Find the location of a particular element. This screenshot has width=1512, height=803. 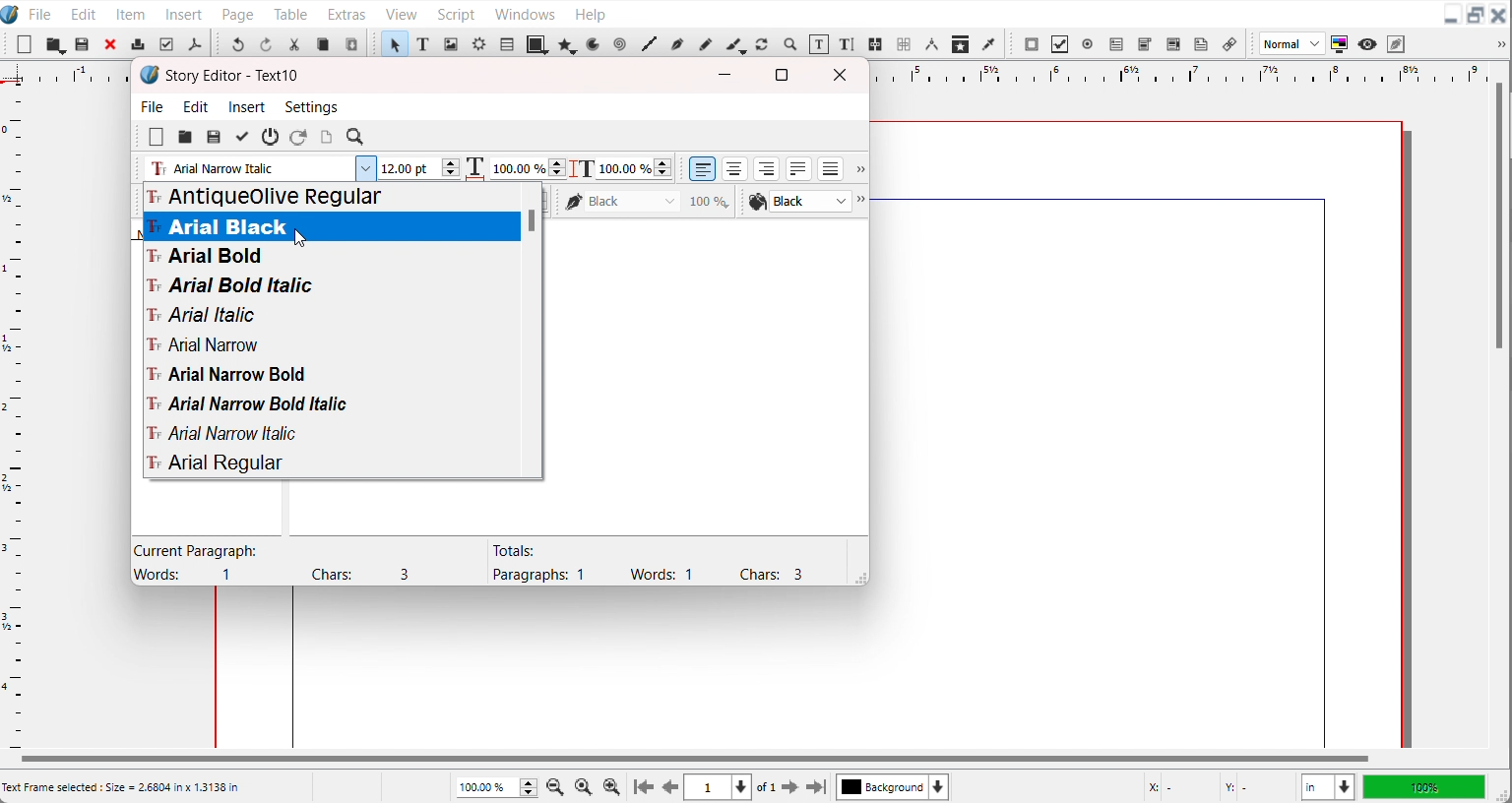

Zoom In is located at coordinates (612, 786).